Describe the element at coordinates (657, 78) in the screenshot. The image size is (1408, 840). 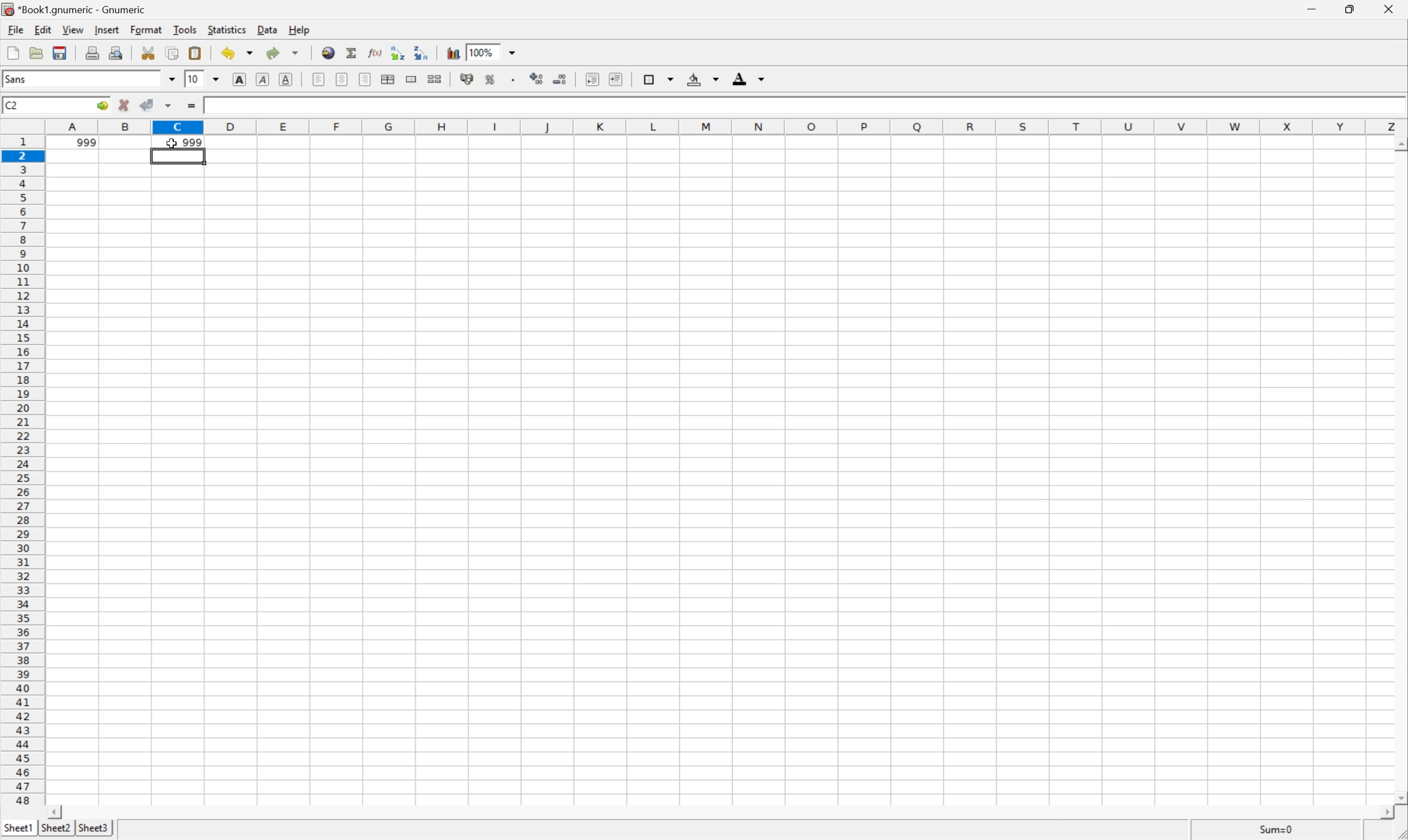
I see `borders` at that location.